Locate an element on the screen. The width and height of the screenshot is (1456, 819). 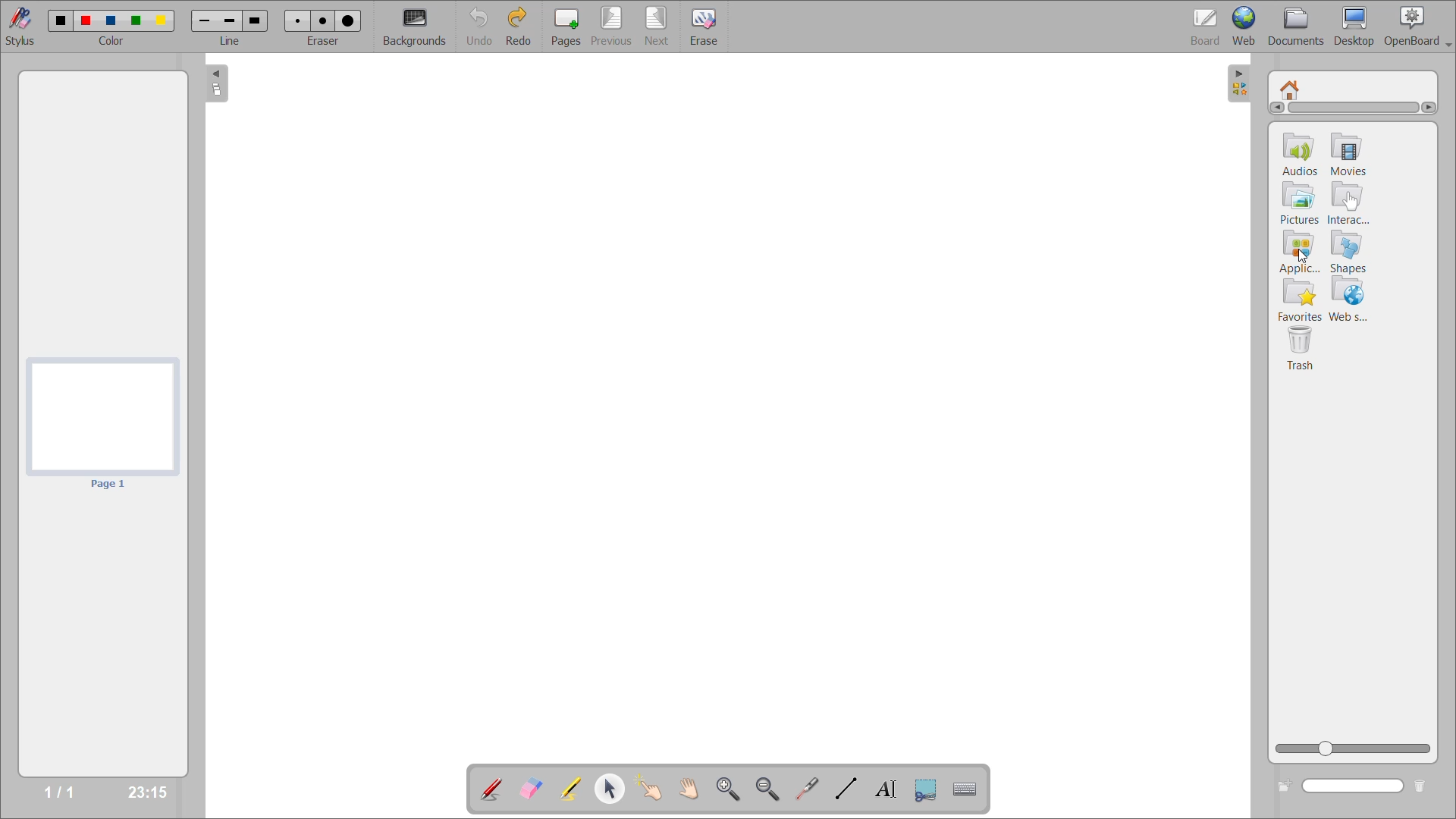
color 3 is located at coordinates (110, 20).